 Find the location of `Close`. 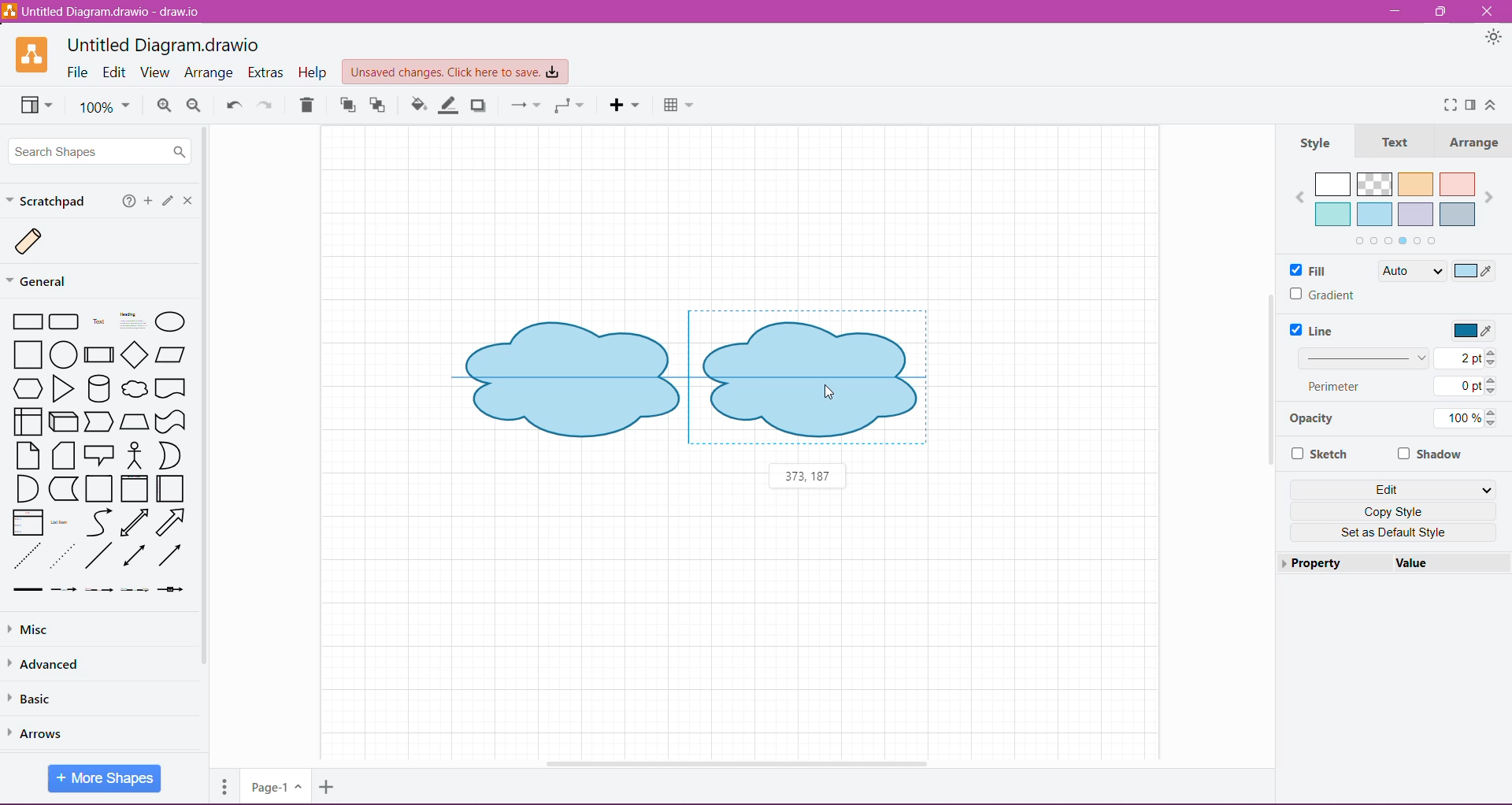

Close is located at coordinates (1488, 10).